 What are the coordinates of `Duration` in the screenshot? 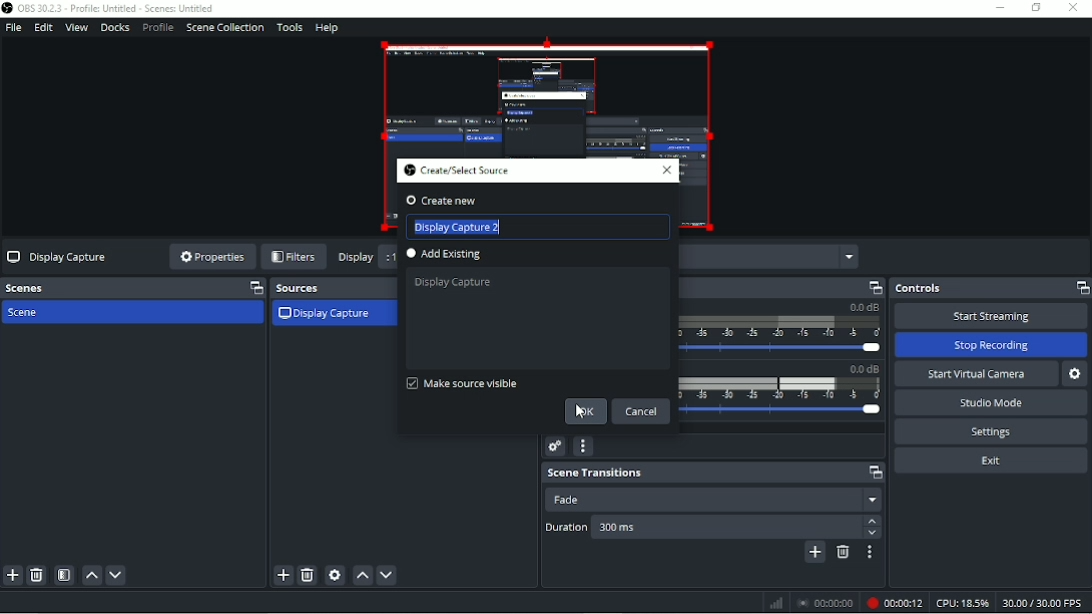 It's located at (564, 529).